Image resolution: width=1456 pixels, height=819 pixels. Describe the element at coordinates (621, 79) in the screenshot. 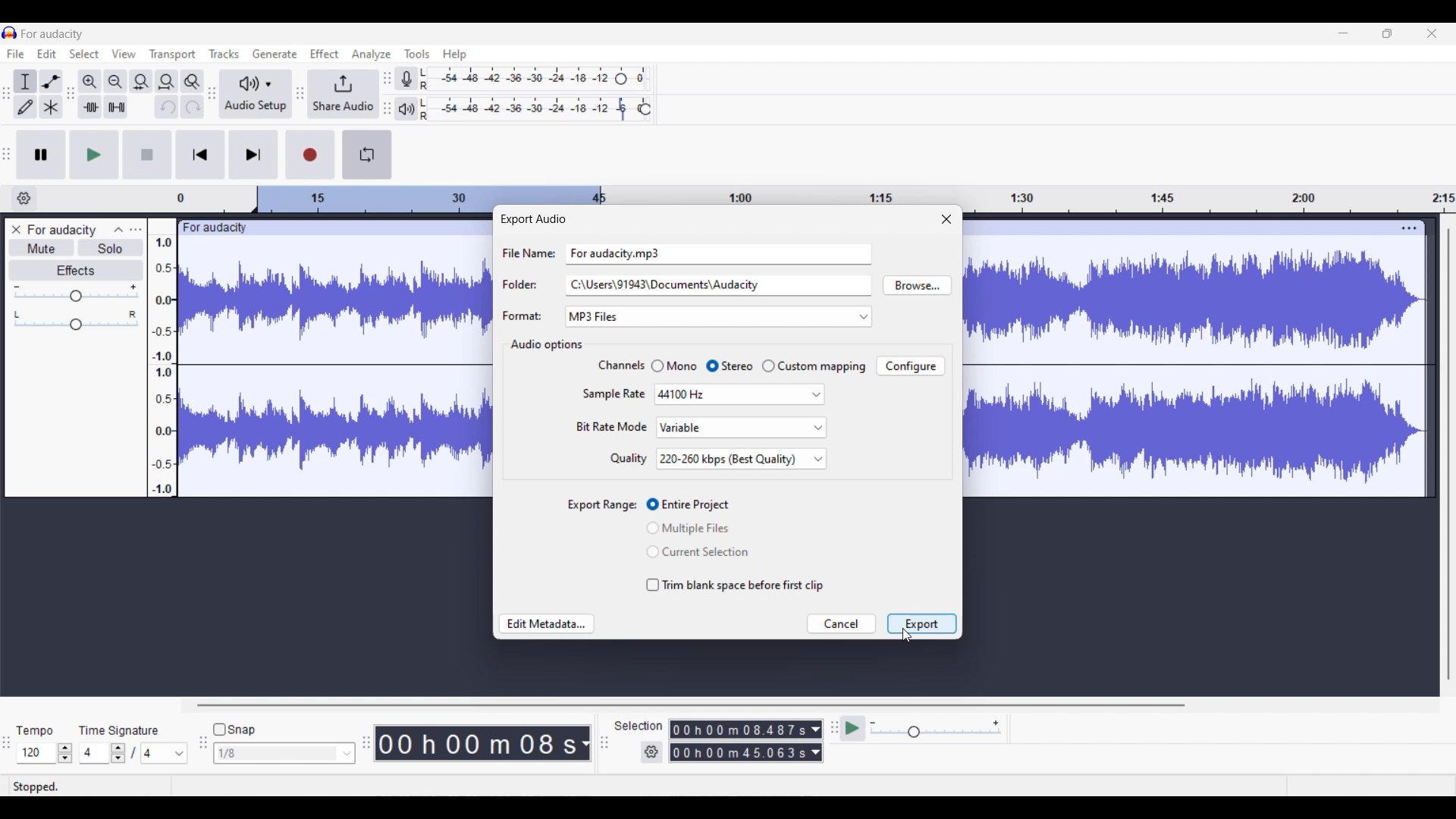

I see `Header to change recording level` at that location.